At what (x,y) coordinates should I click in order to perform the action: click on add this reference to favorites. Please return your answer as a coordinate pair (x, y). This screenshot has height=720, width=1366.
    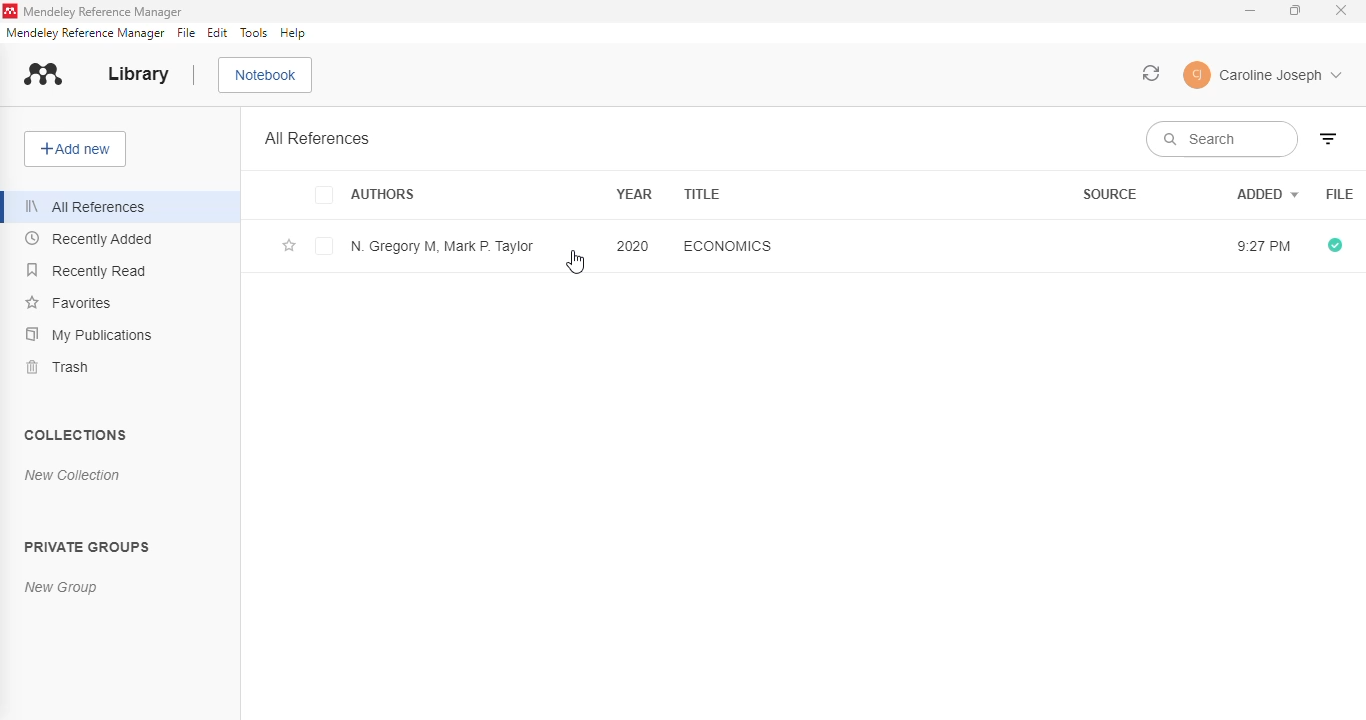
    Looking at the image, I should click on (289, 247).